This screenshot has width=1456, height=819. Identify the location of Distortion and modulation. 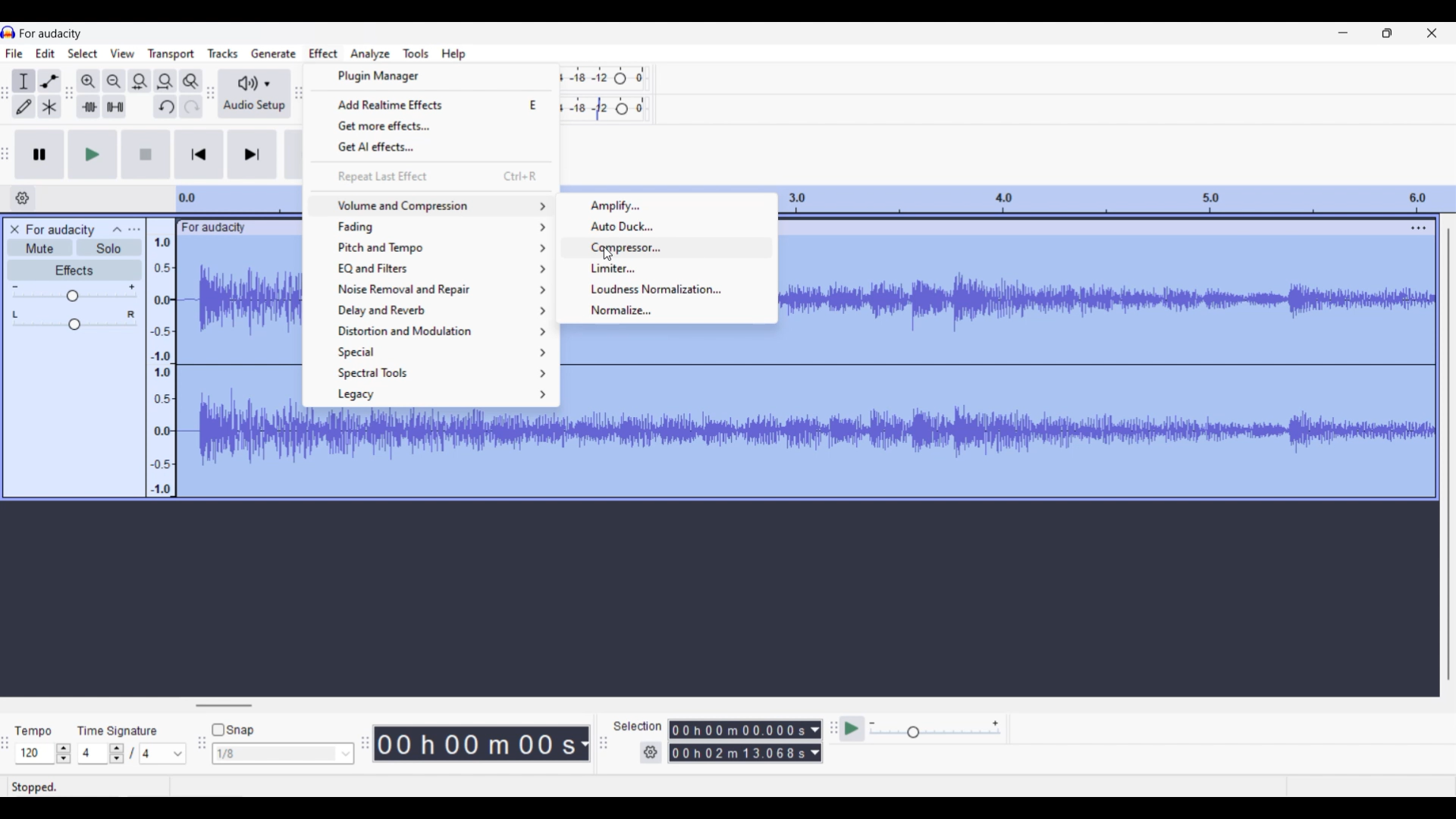
(431, 331).